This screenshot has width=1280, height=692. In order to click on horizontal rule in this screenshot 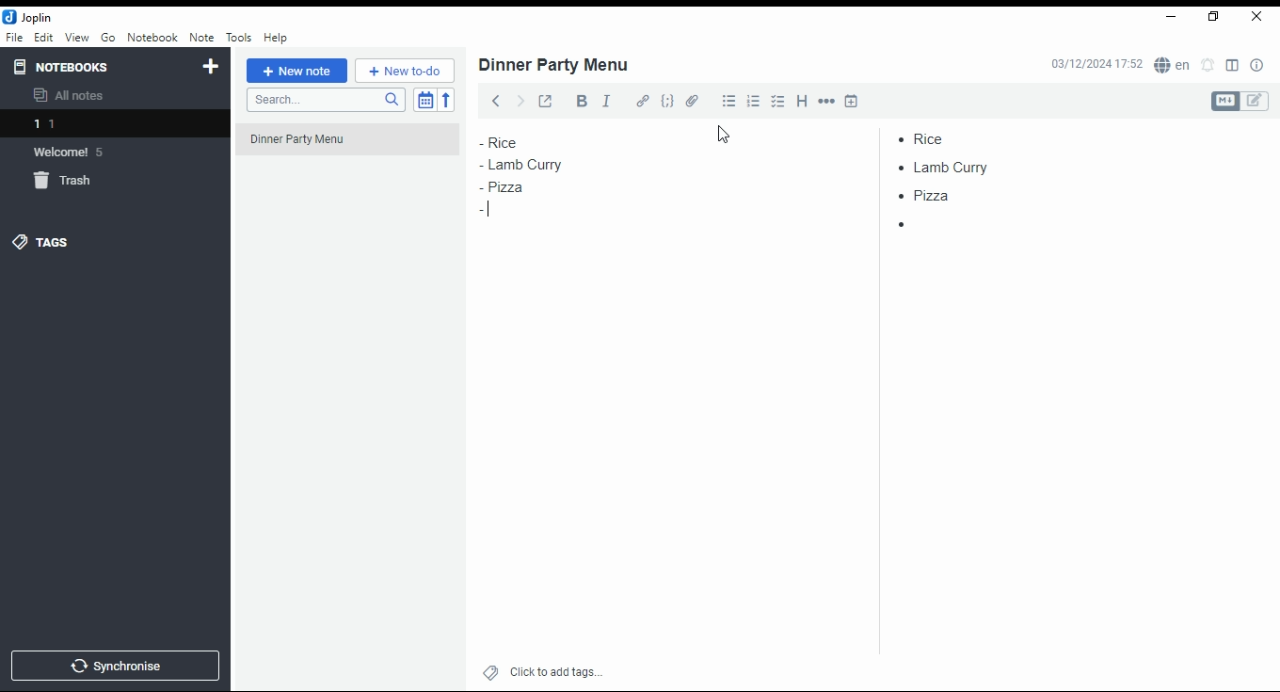, I will do `click(827, 102)`.